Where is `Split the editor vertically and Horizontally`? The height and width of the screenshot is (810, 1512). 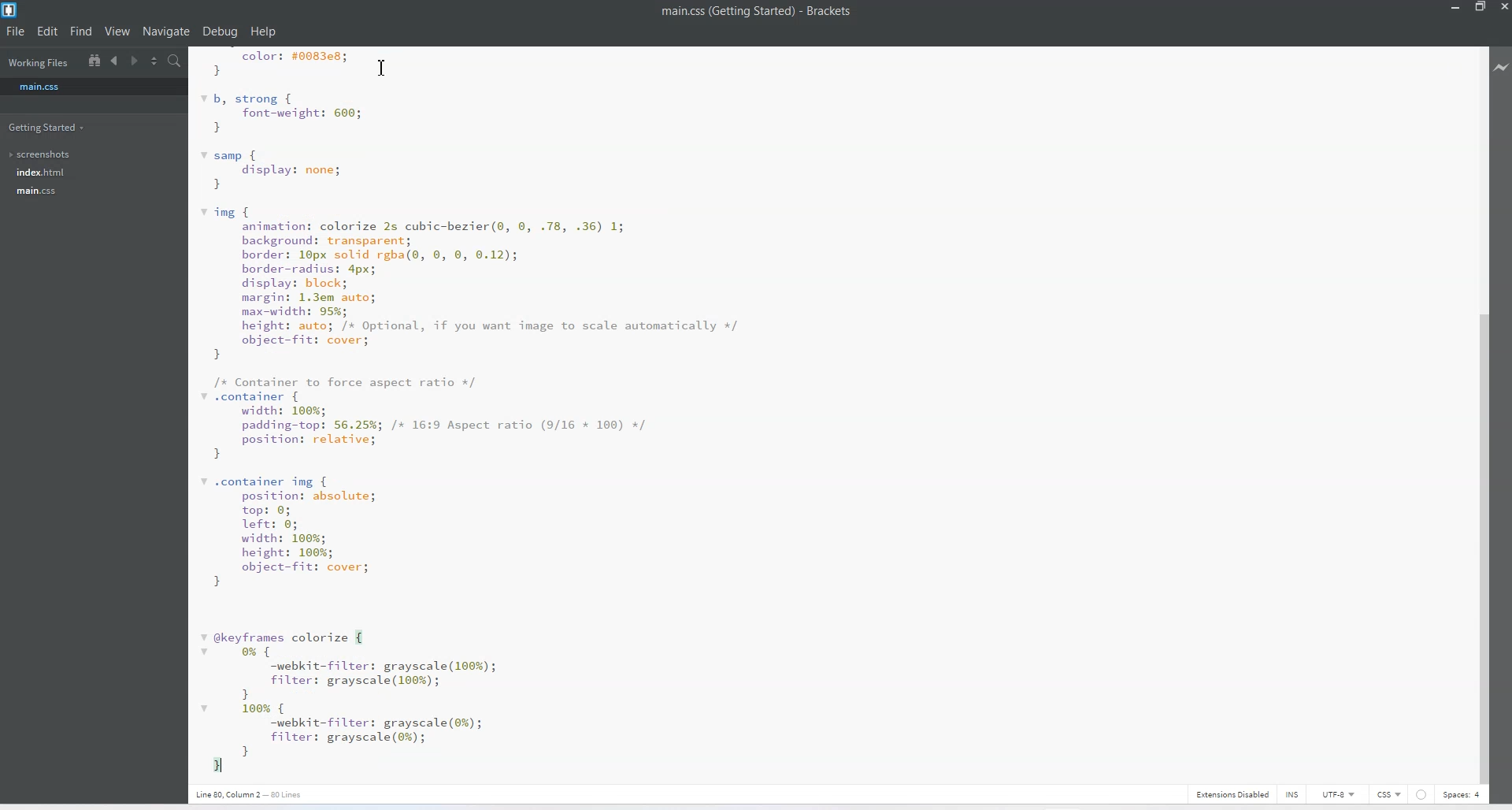
Split the editor vertically and Horizontally is located at coordinates (156, 61).